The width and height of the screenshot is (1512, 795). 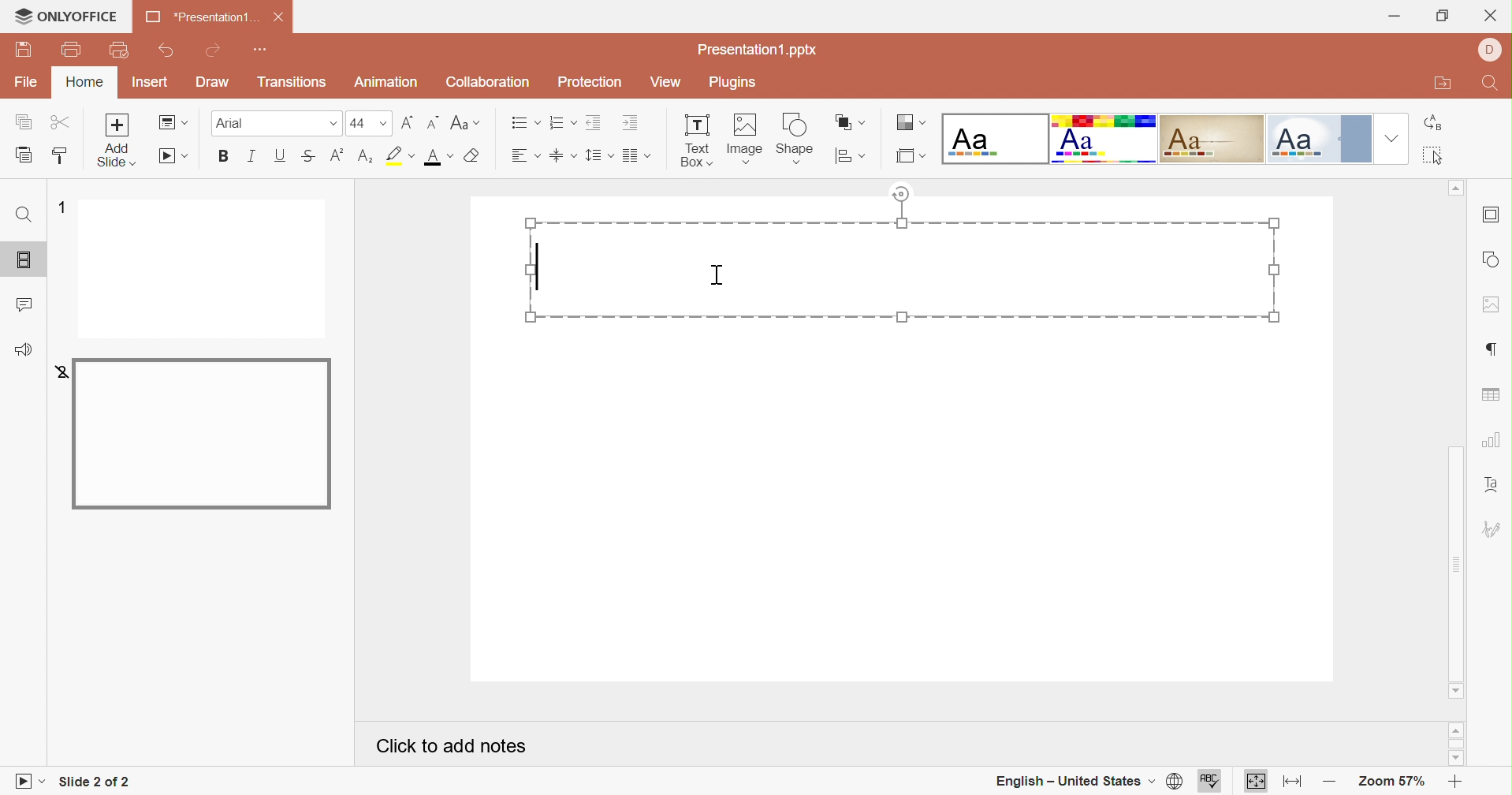 What do you see at coordinates (1435, 155) in the screenshot?
I see `Select all` at bounding box center [1435, 155].